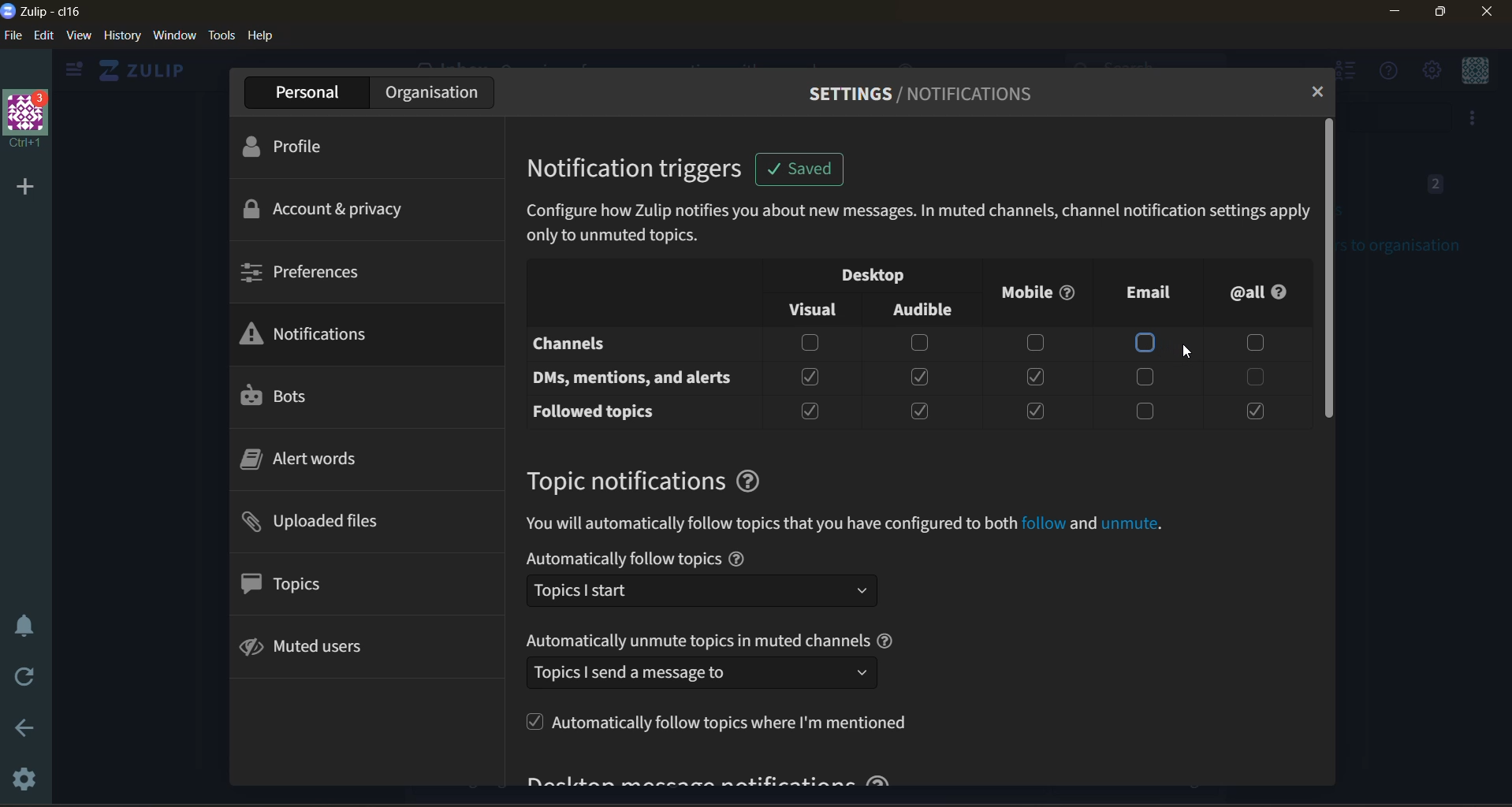 This screenshot has height=807, width=1512. Describe the element at coordinates (613, 345) in the screenshot. I see `channels` at that location.